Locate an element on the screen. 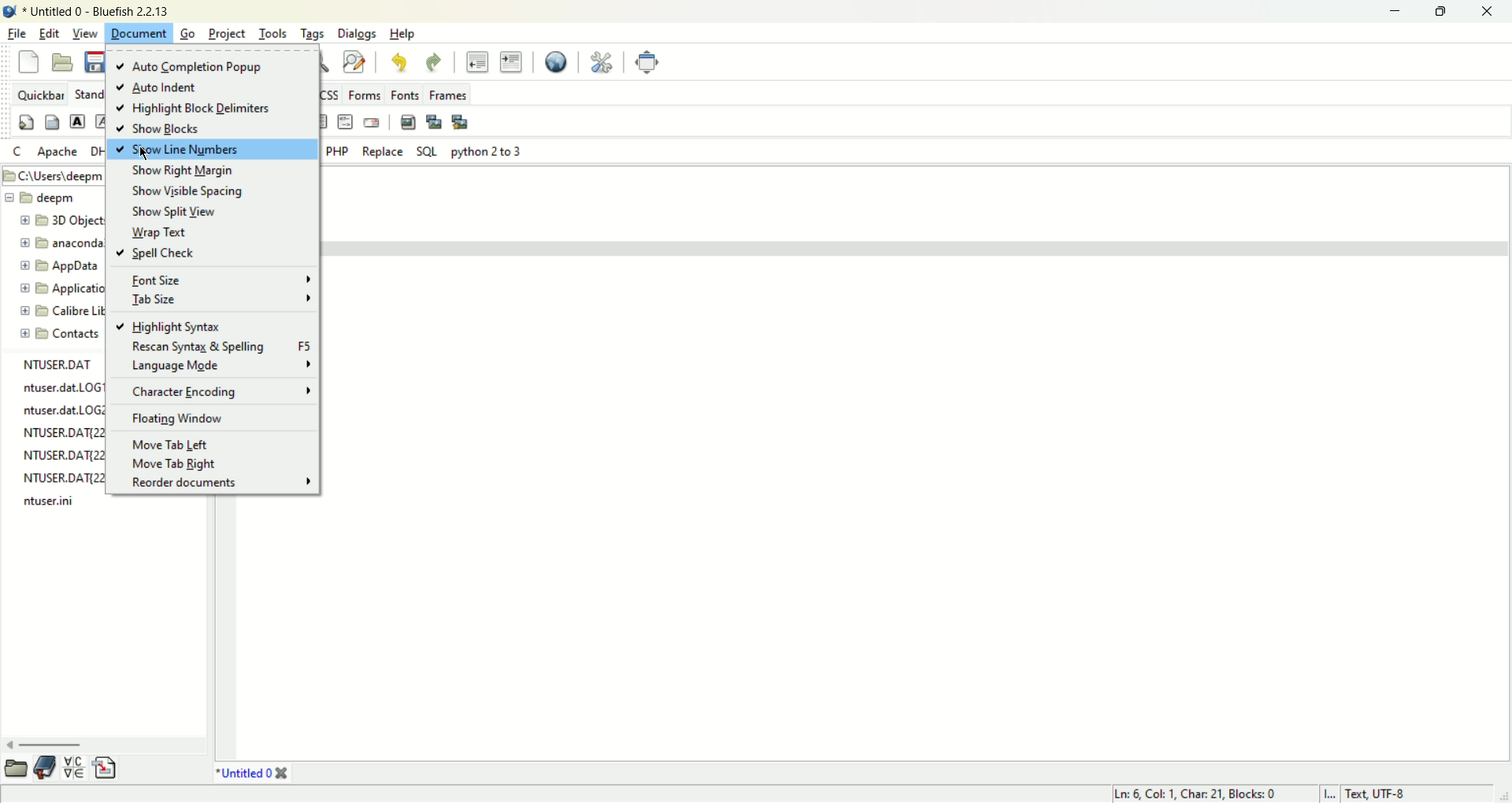 This screenshot has width=1512, height=803. character encoding is located at coordinates (220, 392).